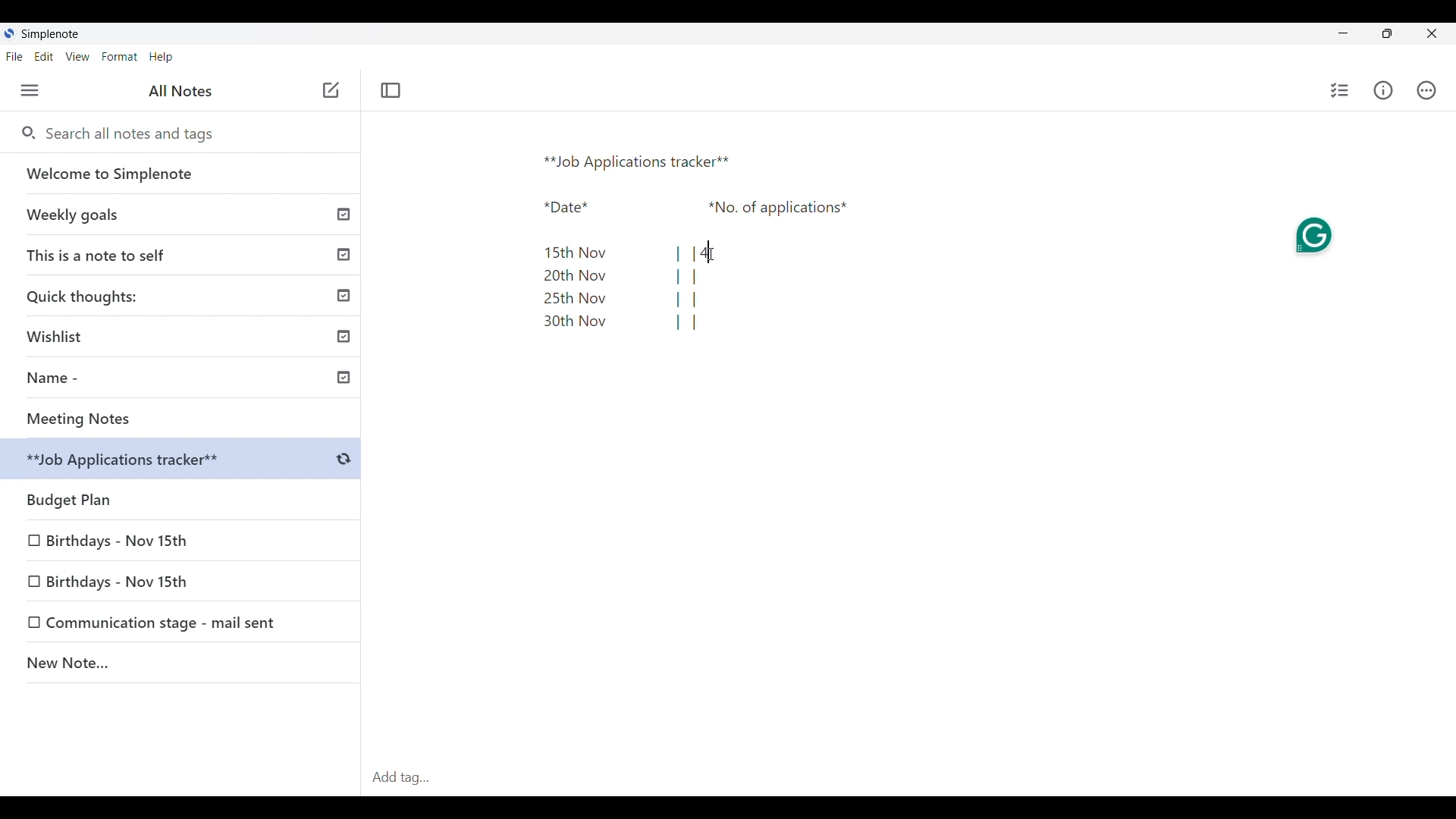  What do you see at coordinates (332, 89) in the screenshot?
I see `Click to add note` at bounding box center [332, 89].